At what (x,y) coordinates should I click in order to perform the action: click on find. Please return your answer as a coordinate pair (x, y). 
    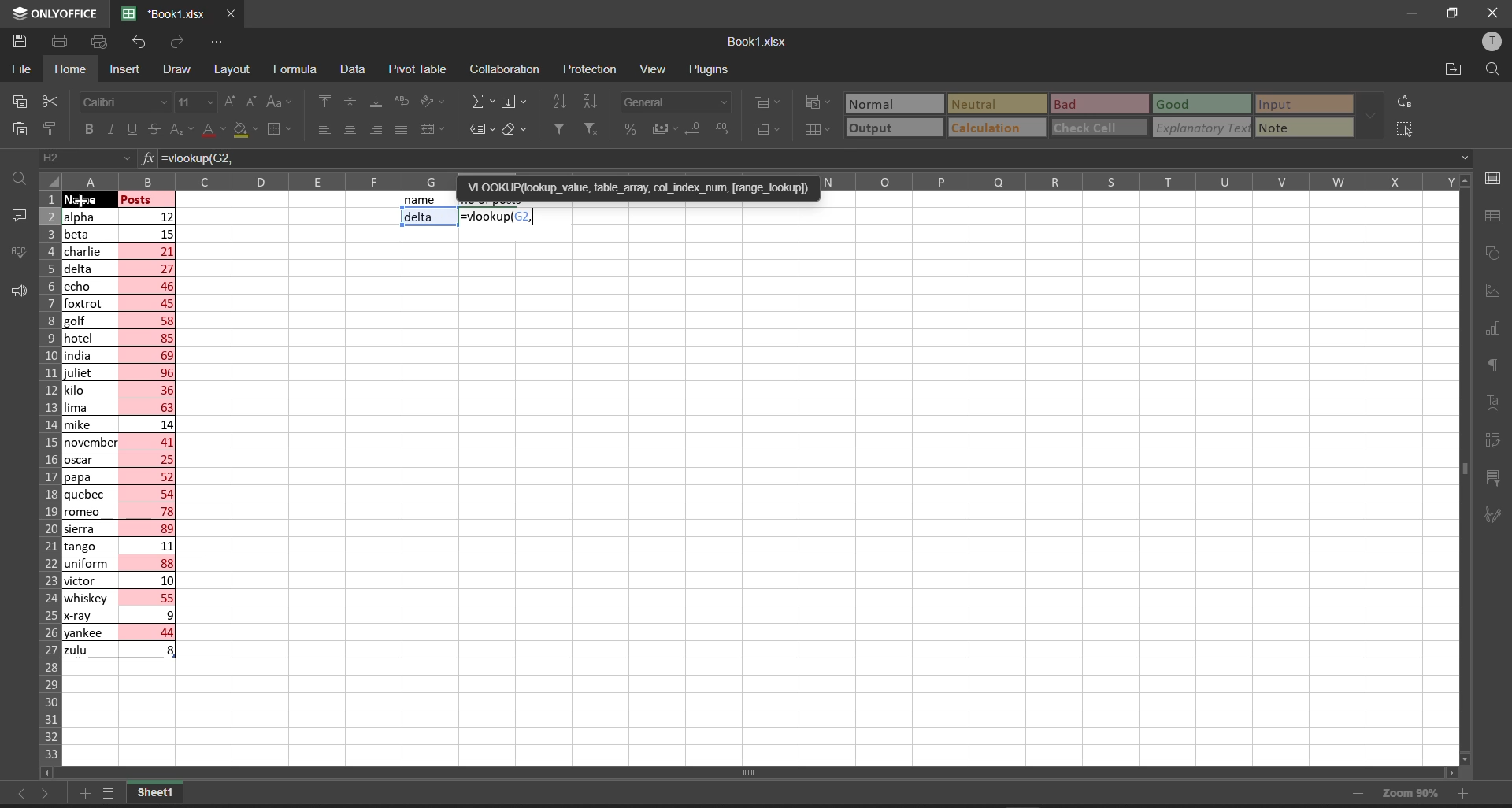
    Looking at the image, I should click on (1495, 69).